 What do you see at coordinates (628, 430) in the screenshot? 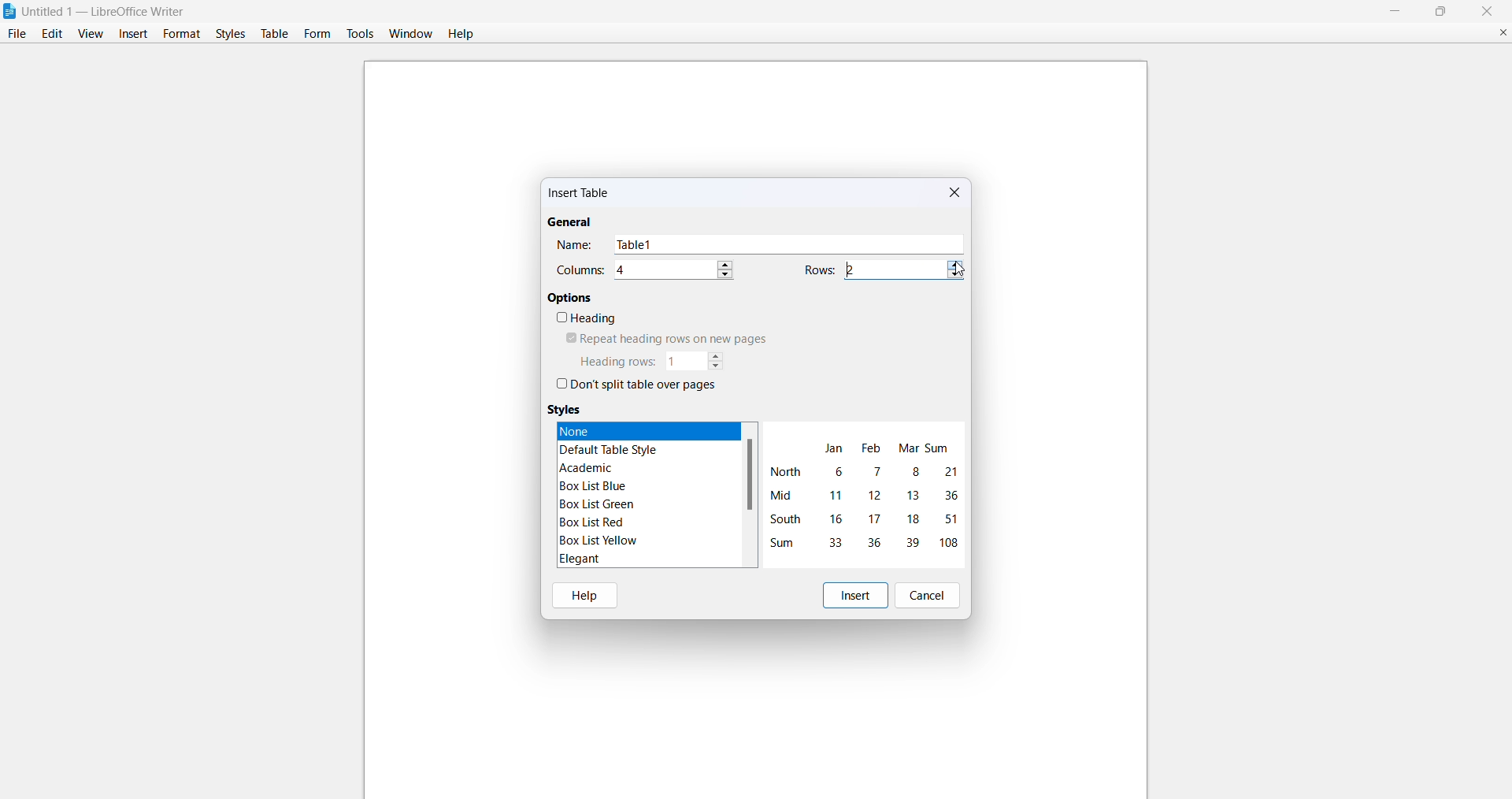
I see `none` at bounding box center [628, 430].